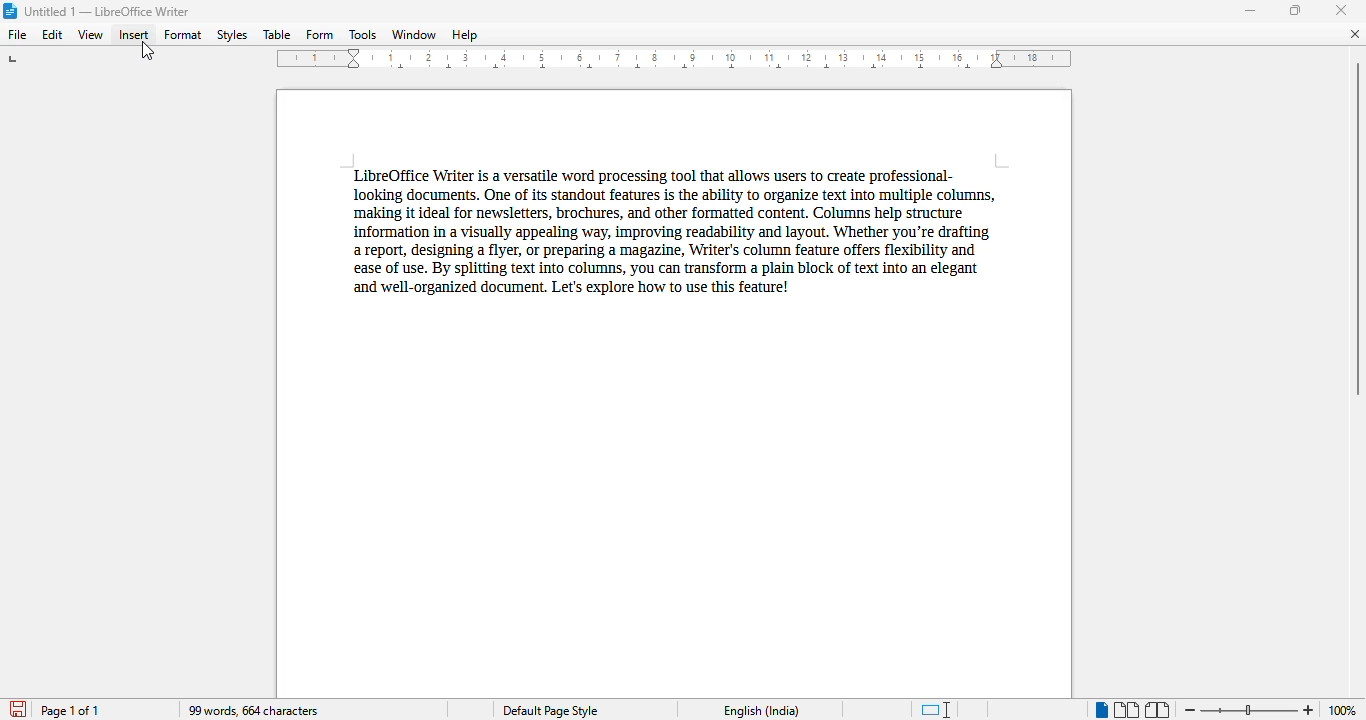  Describe the element at coordinates (1190, 709) in the screenshot. I see `zoom out` at that location.